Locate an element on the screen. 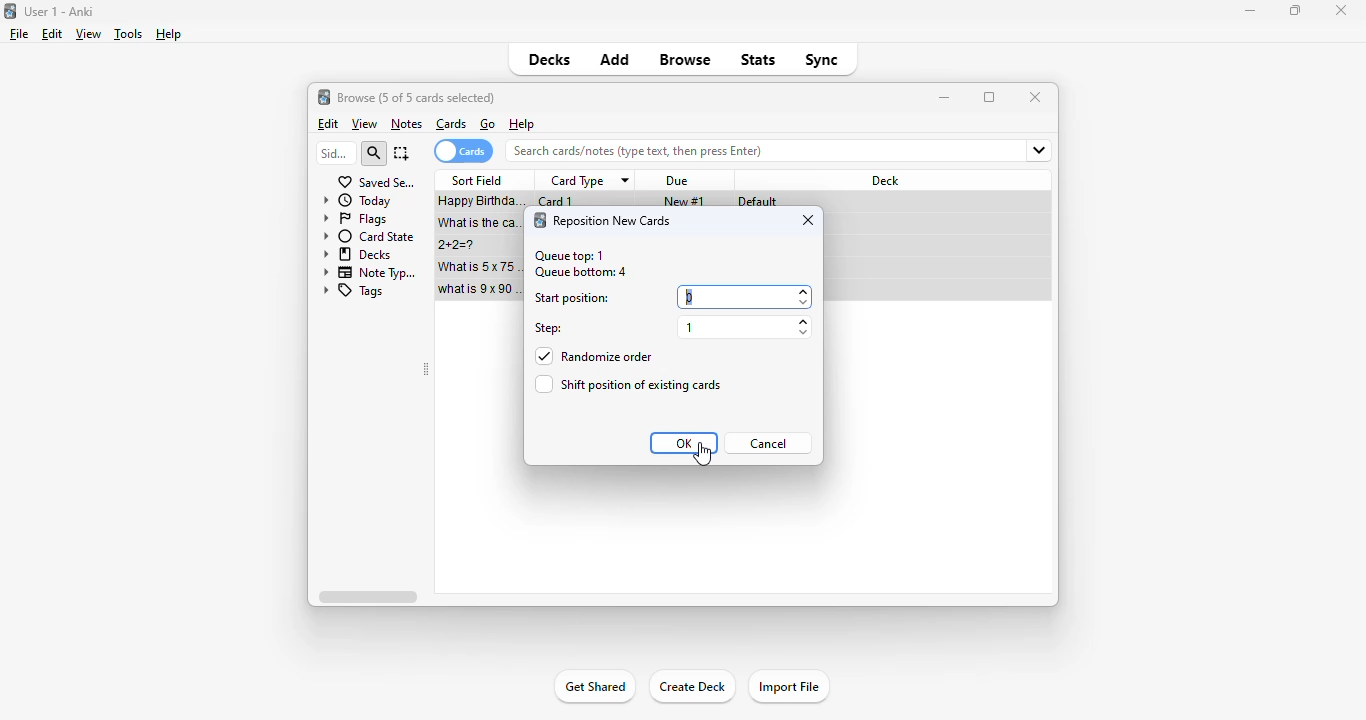 The image size is (1366, 720). add is located at coordinates (616, 60).